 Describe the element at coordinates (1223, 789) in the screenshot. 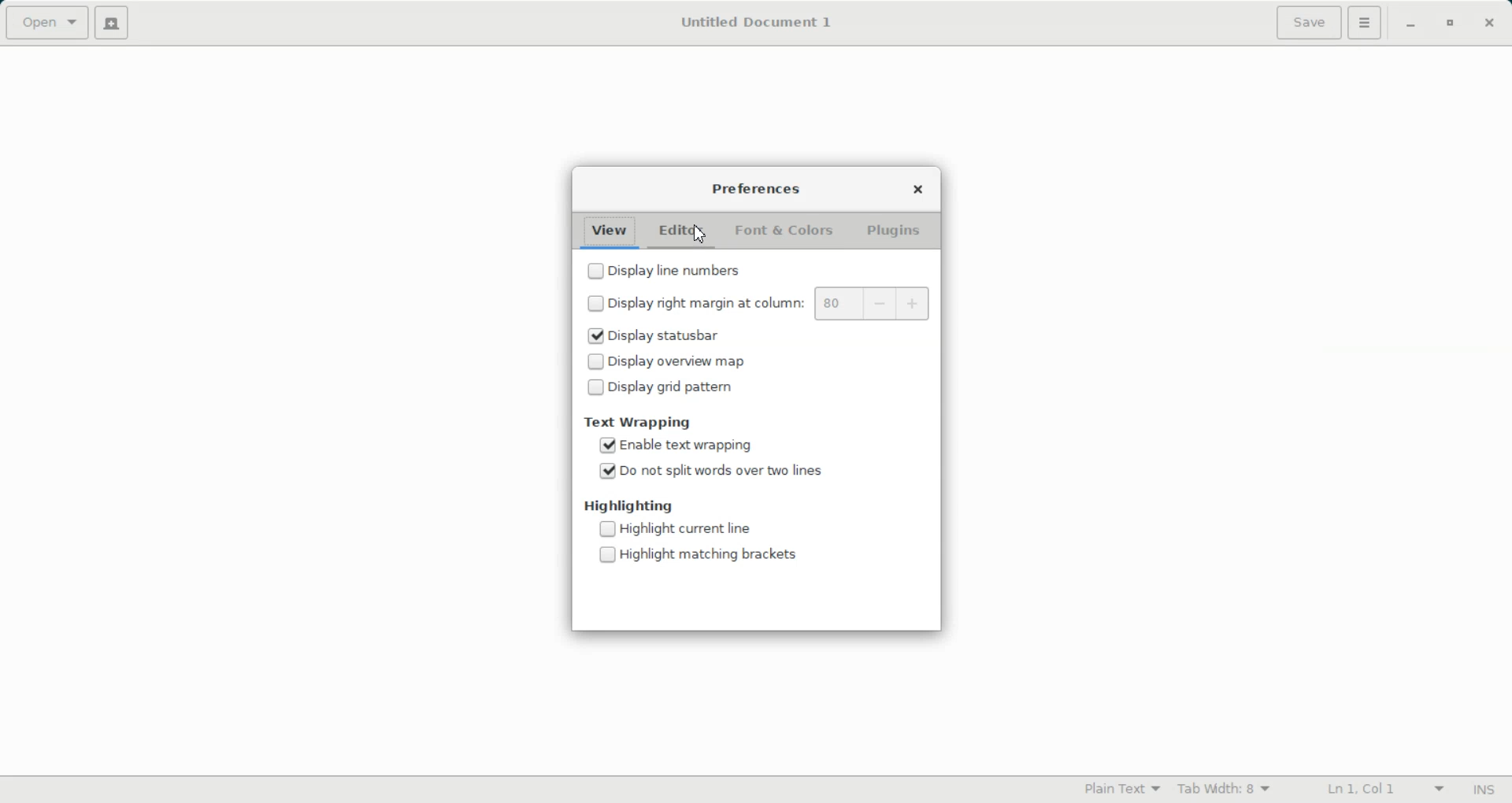

I see `Tab Width` at that location.